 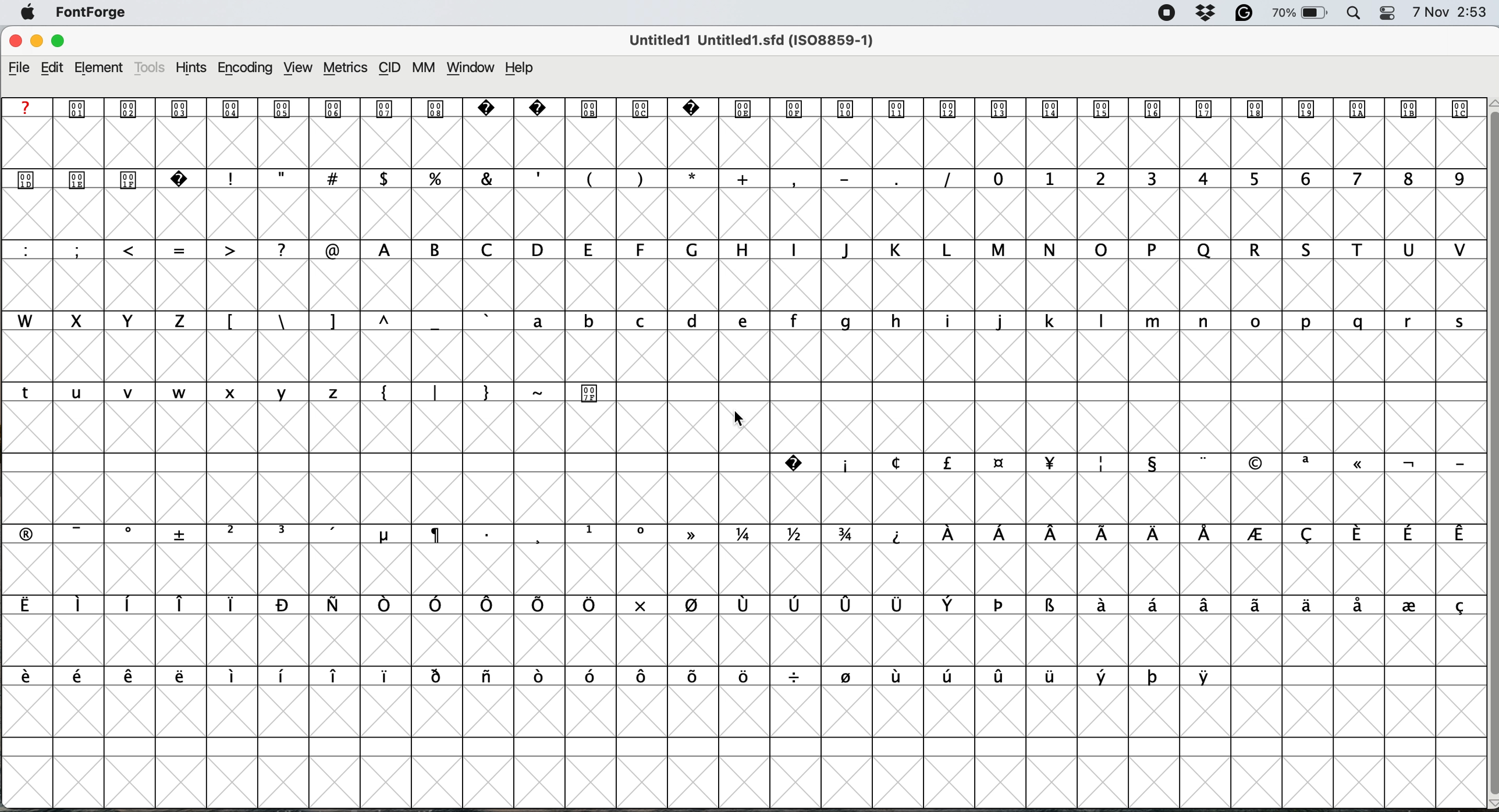 I want to click on cid, so click(x=391, y=69).